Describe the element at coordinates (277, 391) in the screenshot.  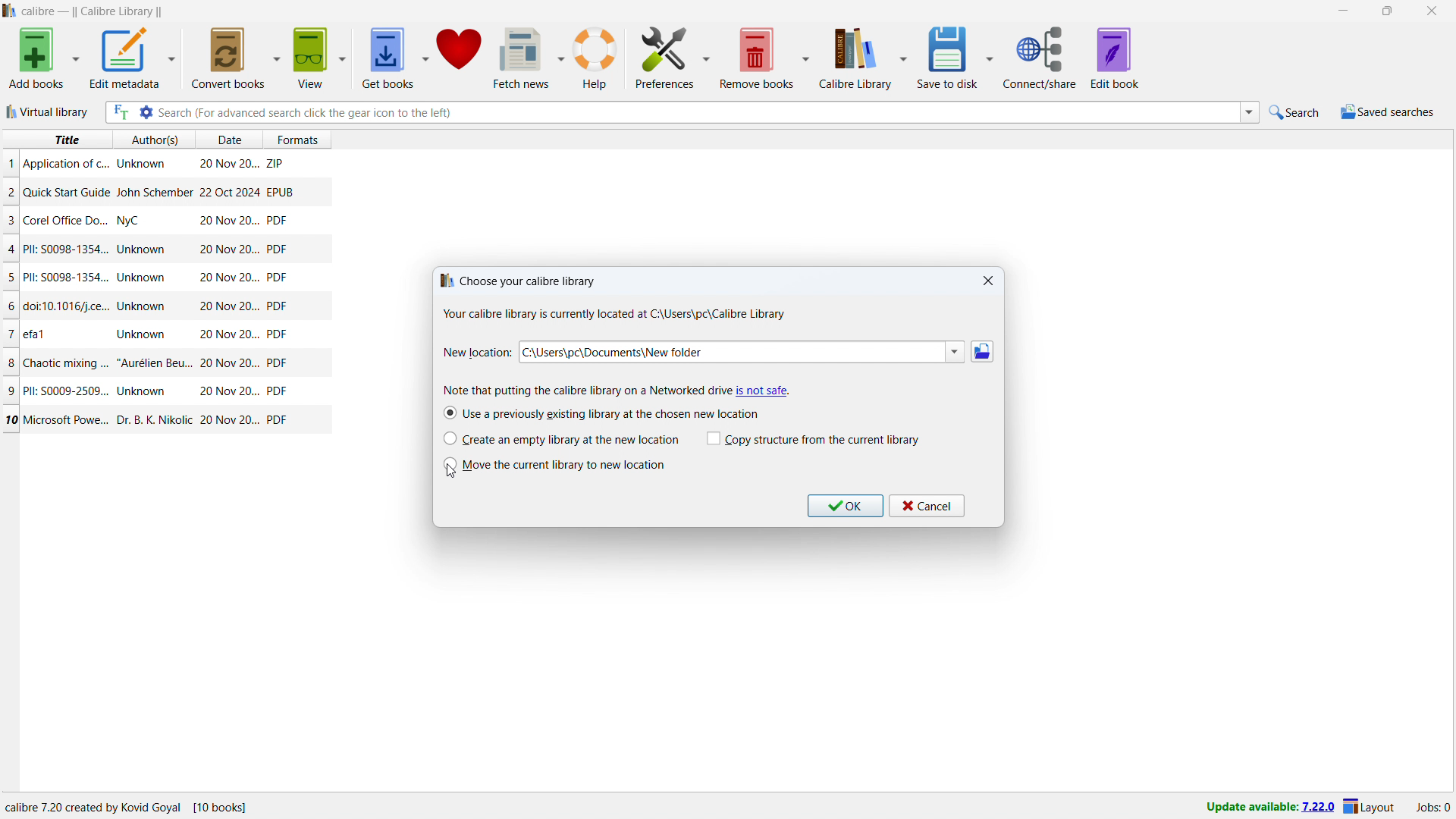
I see `PDF` at that location.